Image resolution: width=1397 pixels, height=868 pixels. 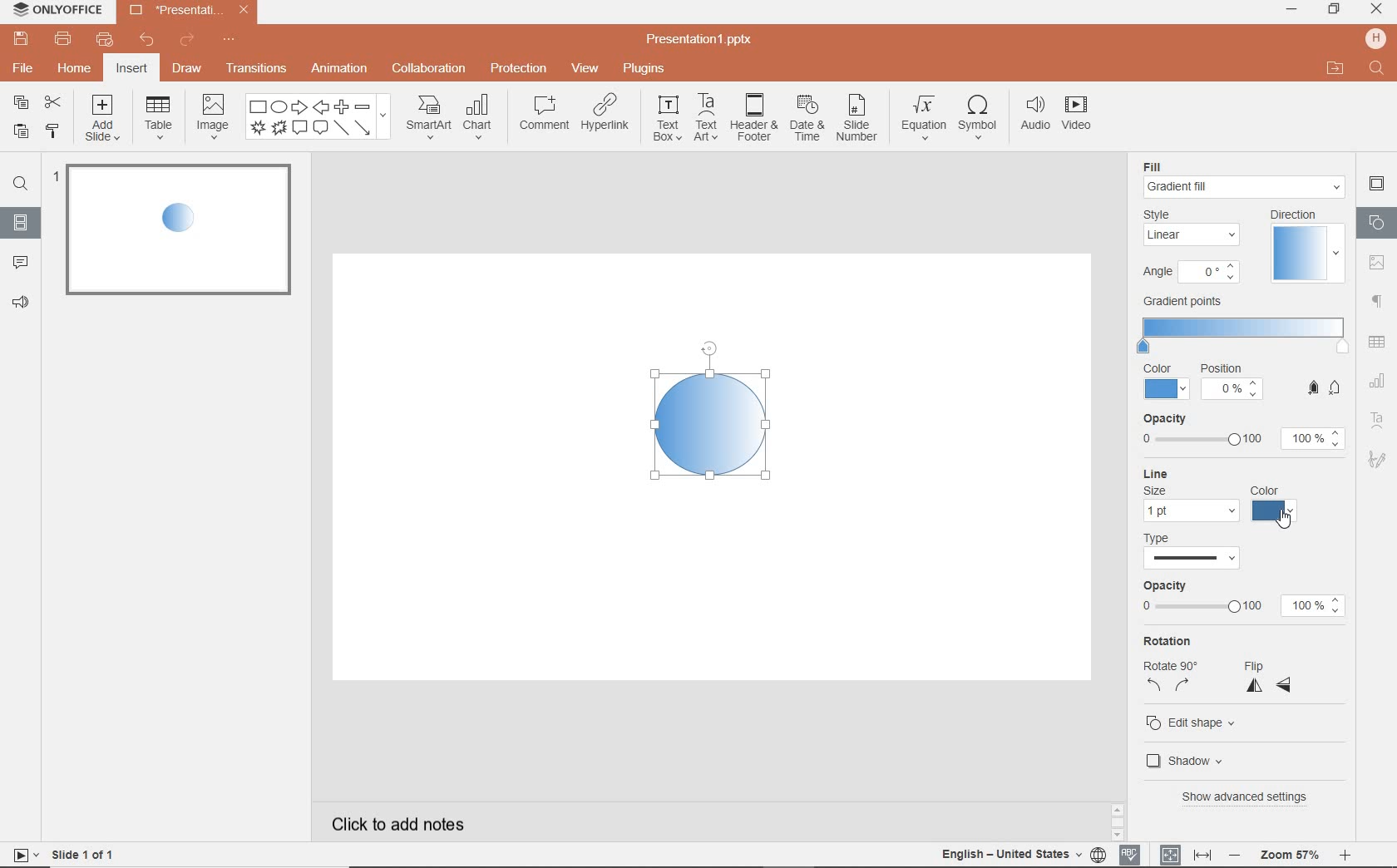 I want to click on close, so click(x=1376, y=11).